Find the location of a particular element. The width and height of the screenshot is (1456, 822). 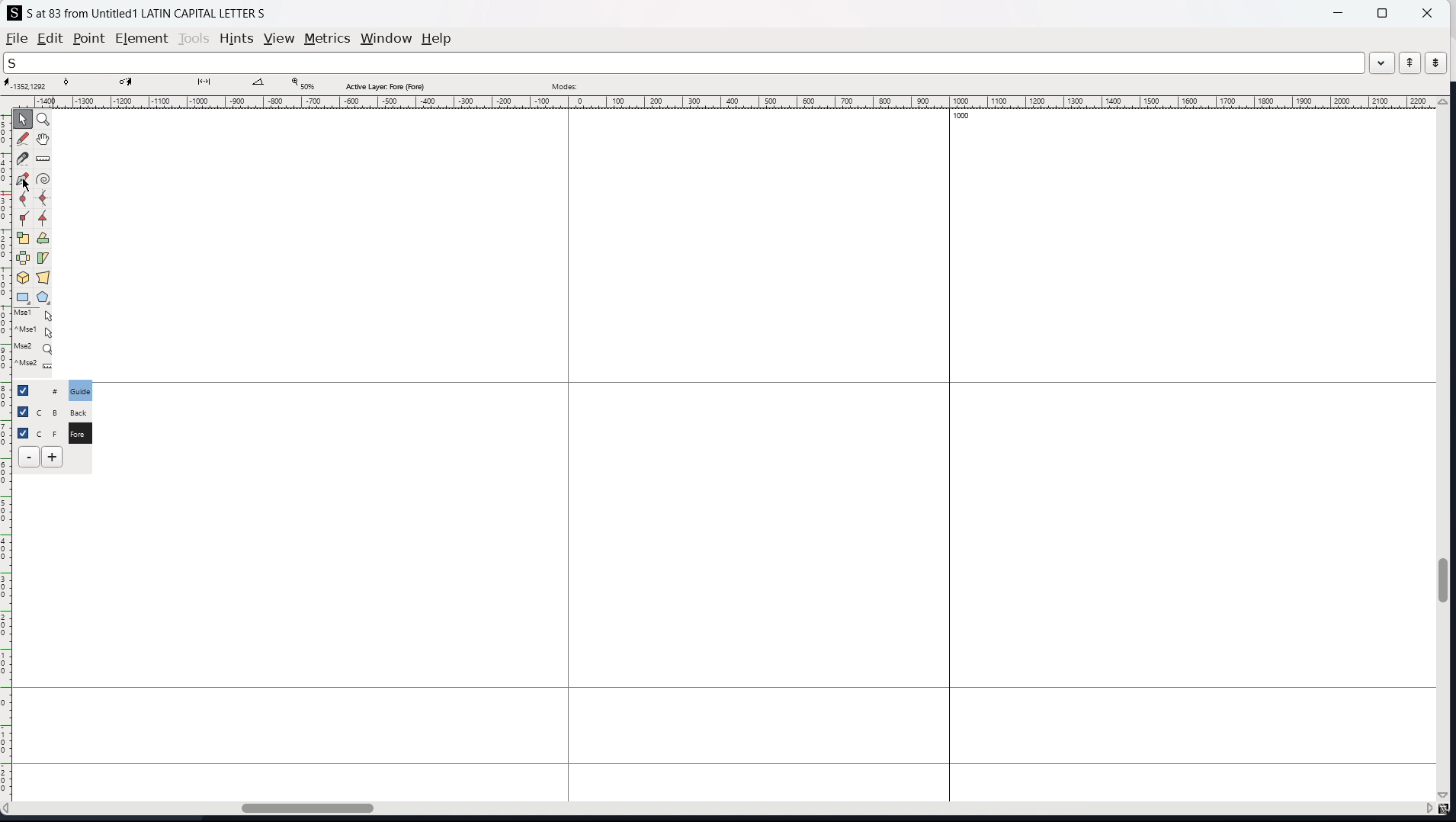

window is located at coordinates (386, 39).